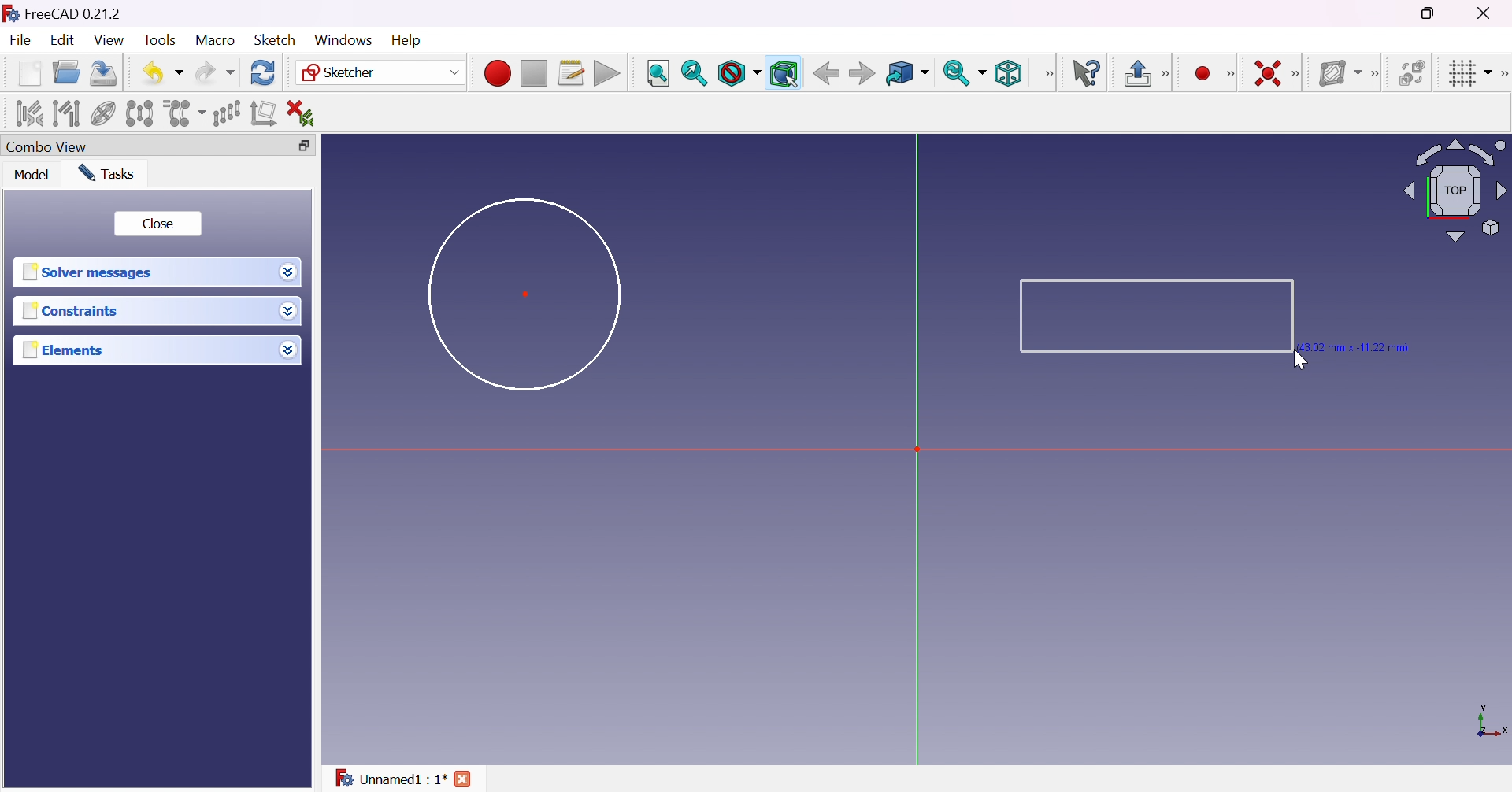 This screenshot has width=1512, height=792. What do you see at coordinates (288, 350) in the screenshot?
I see `Drop down` at bounding box center [288, 350].